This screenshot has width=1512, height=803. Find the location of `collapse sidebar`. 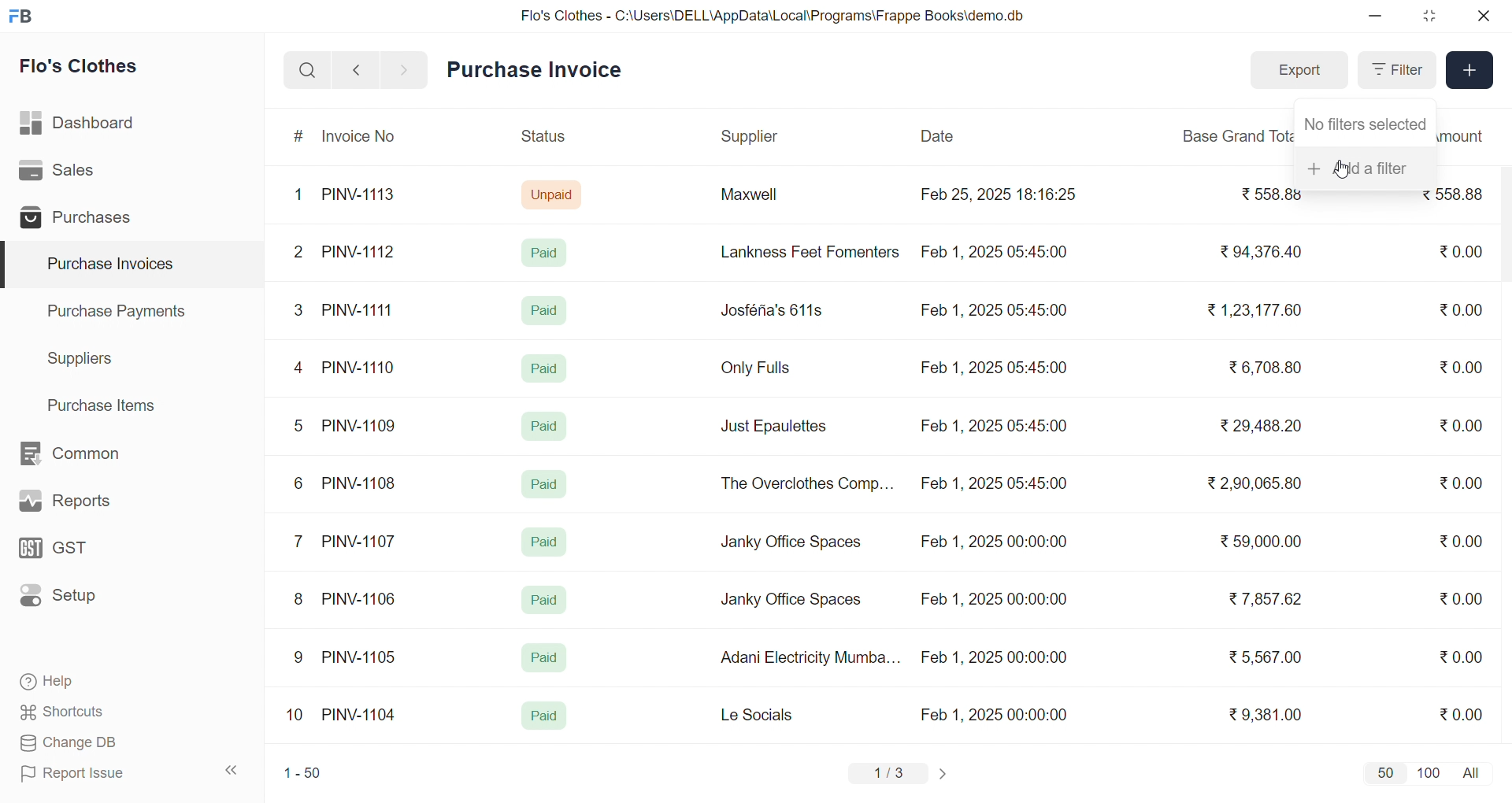

collapse sidebar is located at coordinates (232, 771).